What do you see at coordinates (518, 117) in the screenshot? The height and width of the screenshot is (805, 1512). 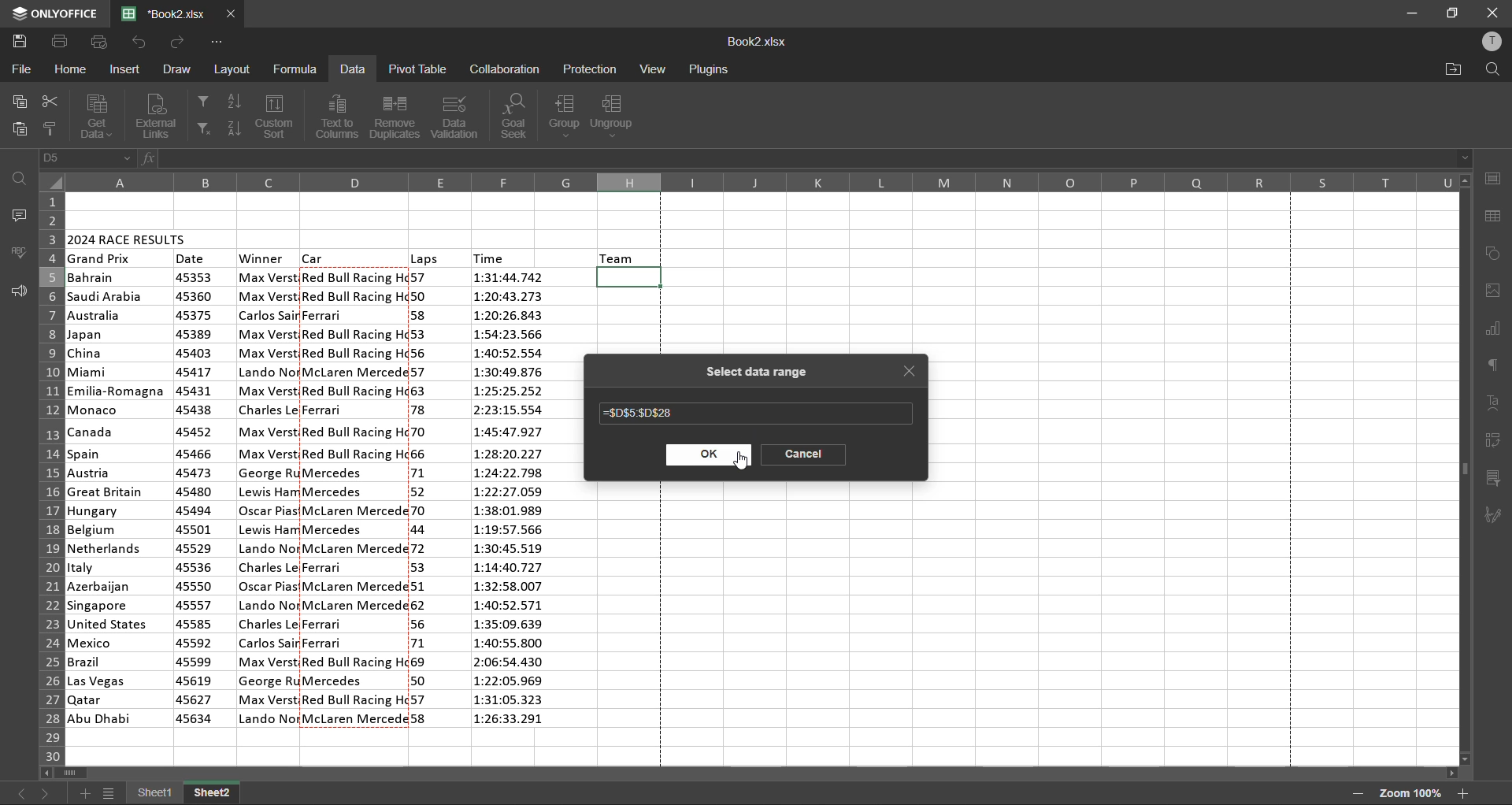 I see `goal seek` at bounding box center [518, 117].